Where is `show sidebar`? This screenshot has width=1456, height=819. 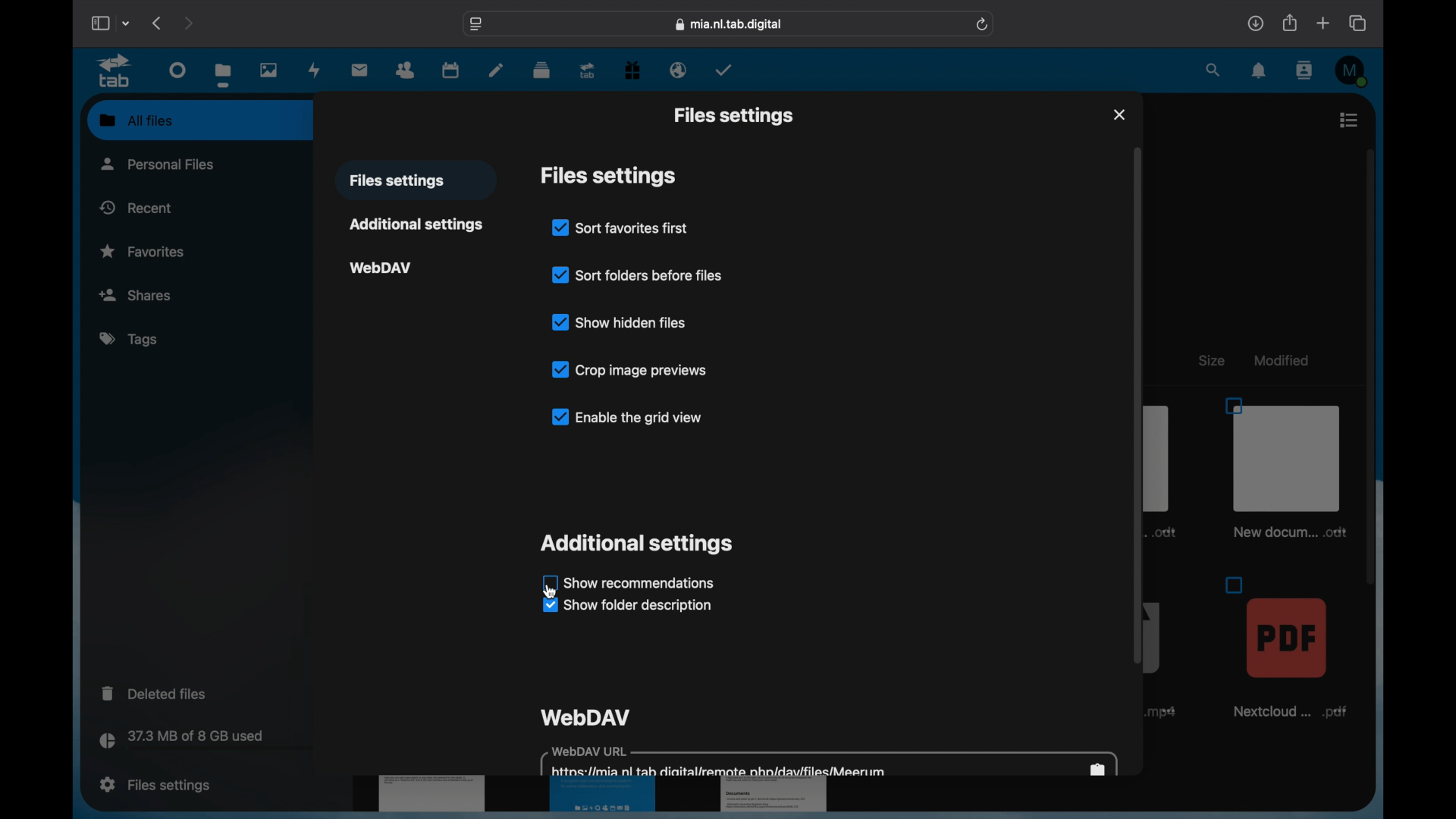 show sidebar is located at coordinates (99, 24).